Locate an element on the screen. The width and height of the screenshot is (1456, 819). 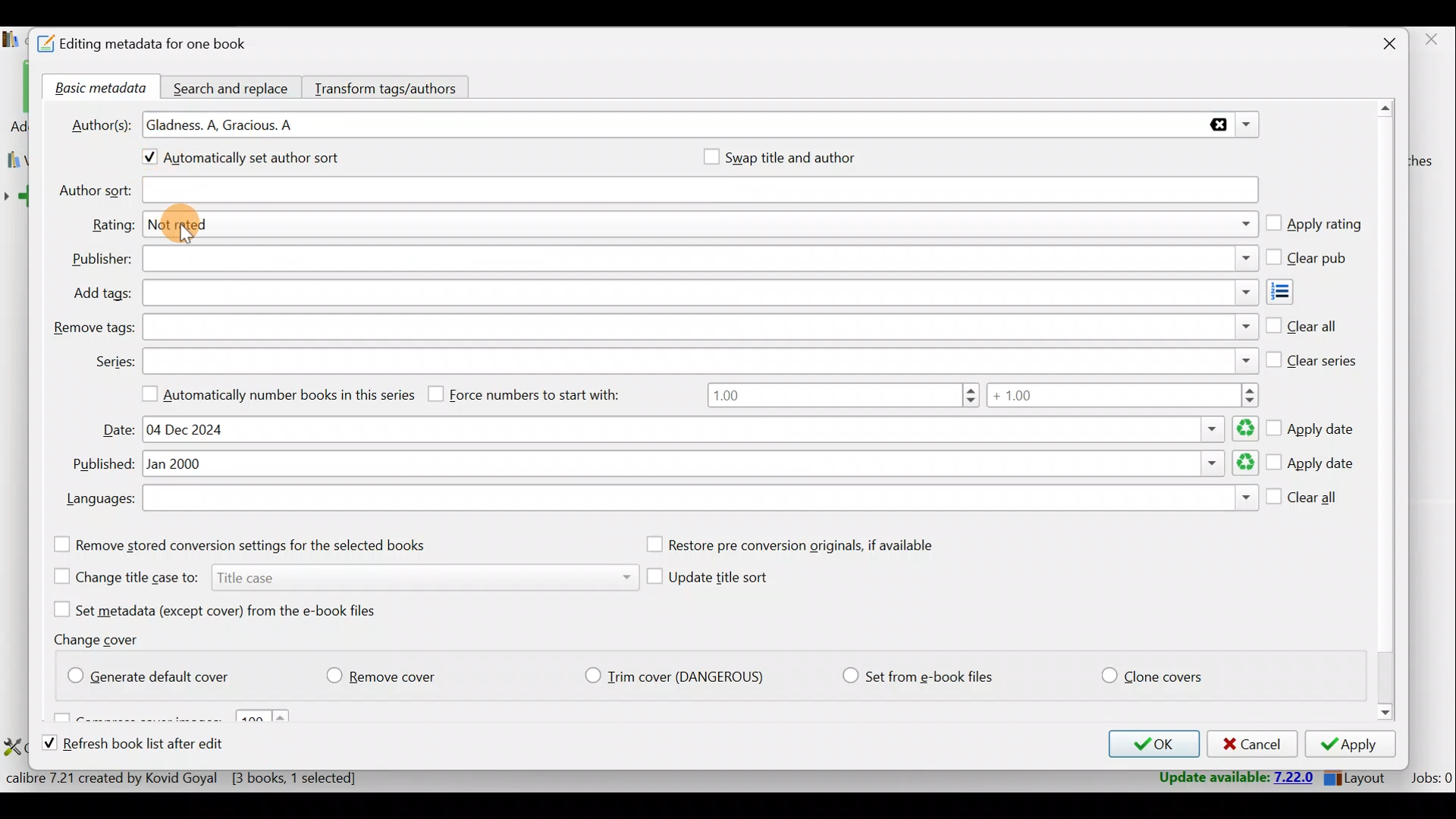
Cancel is located at coordinates (1250, 745).